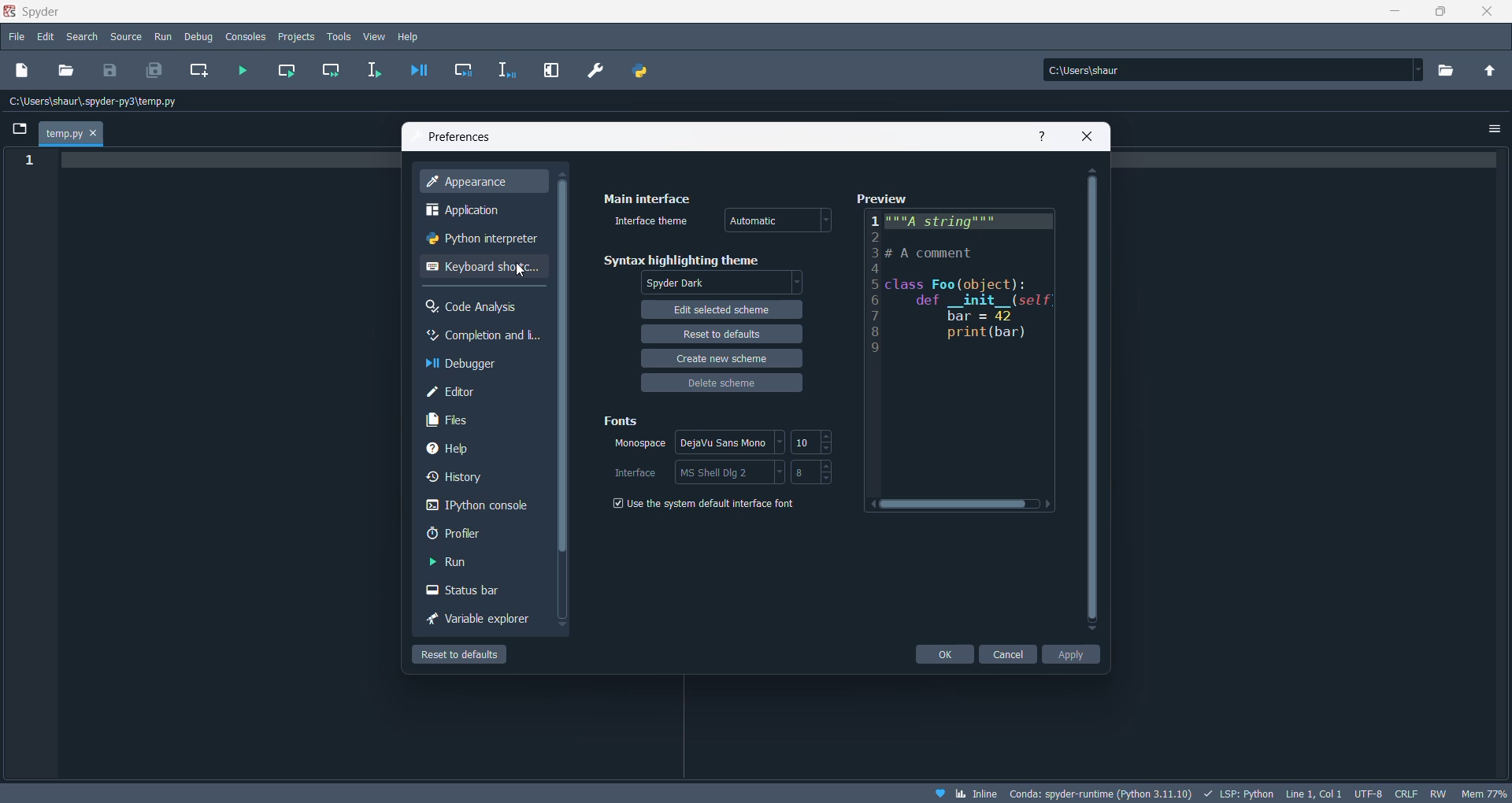 Image resolution: width=1512 pixels, height=803 pixels. What do you see at coordinates (1419, 70) in the screenshot?
I see `path dropdown` at bounding box center [1419, 70].